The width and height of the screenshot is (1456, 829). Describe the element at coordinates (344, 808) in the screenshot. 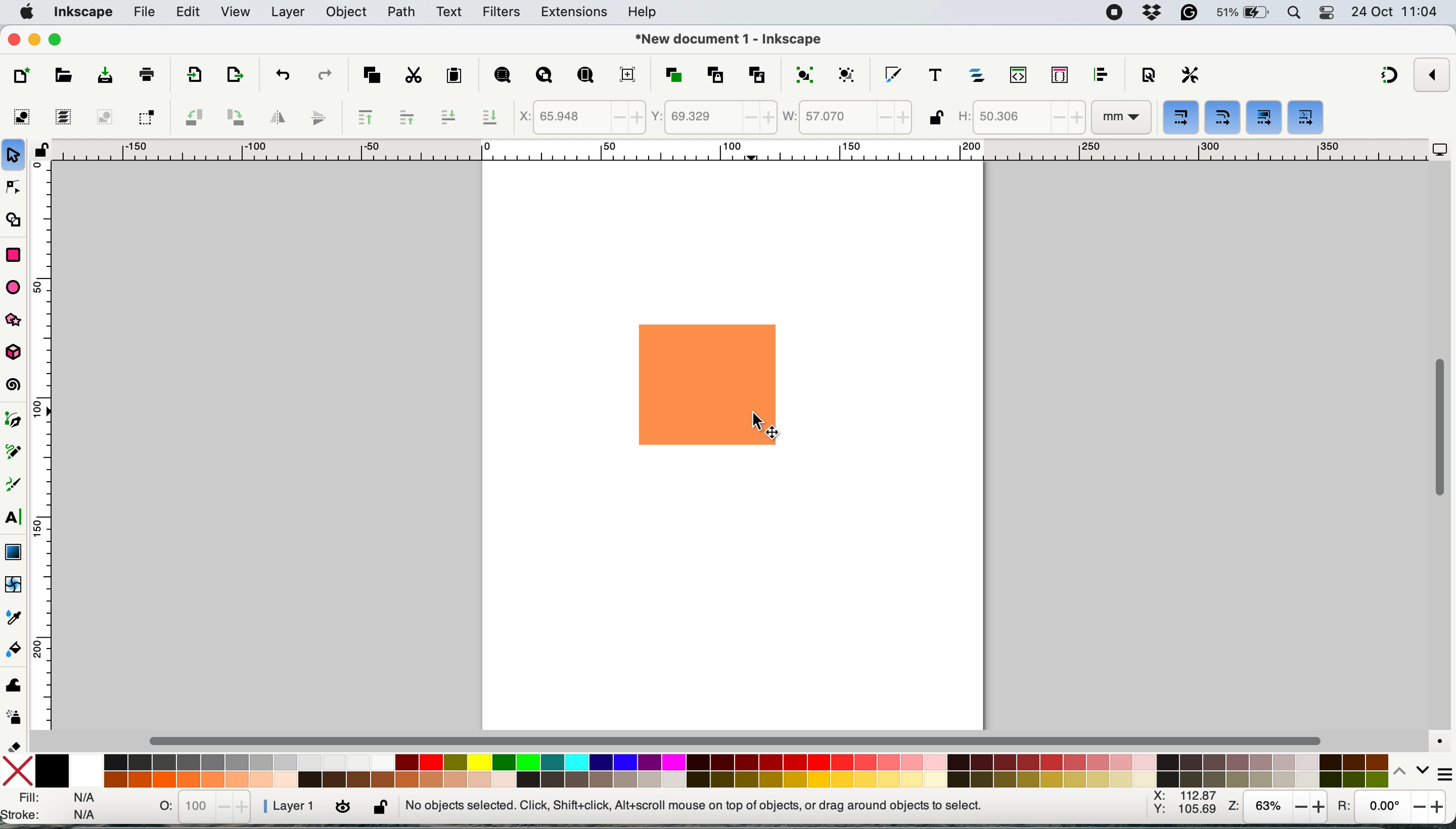

I see `toggle current layer visibility` at that location.